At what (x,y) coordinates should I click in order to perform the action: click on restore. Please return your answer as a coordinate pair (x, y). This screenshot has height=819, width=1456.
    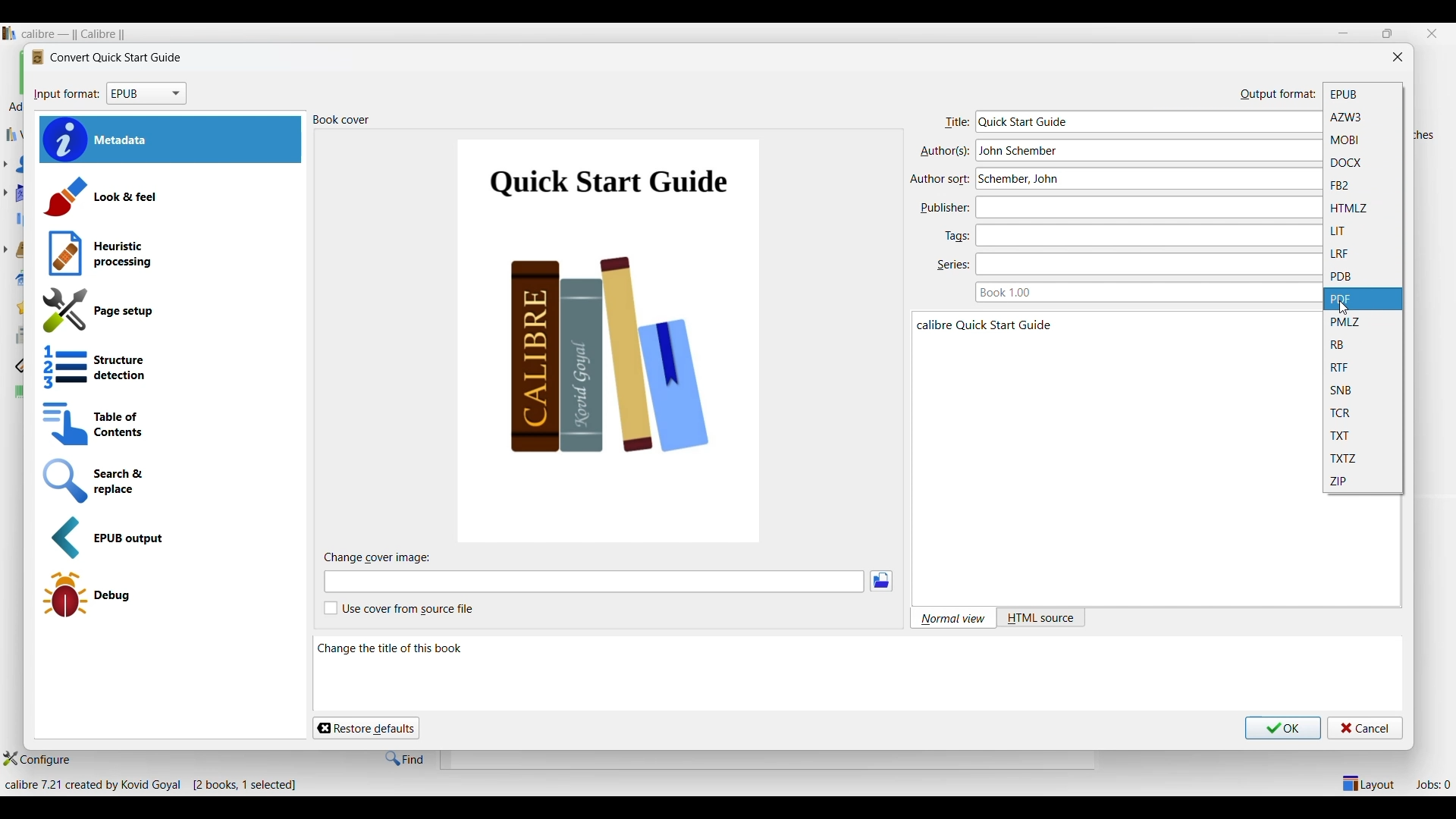
    Looking at the image, I should click on (1388, 33).